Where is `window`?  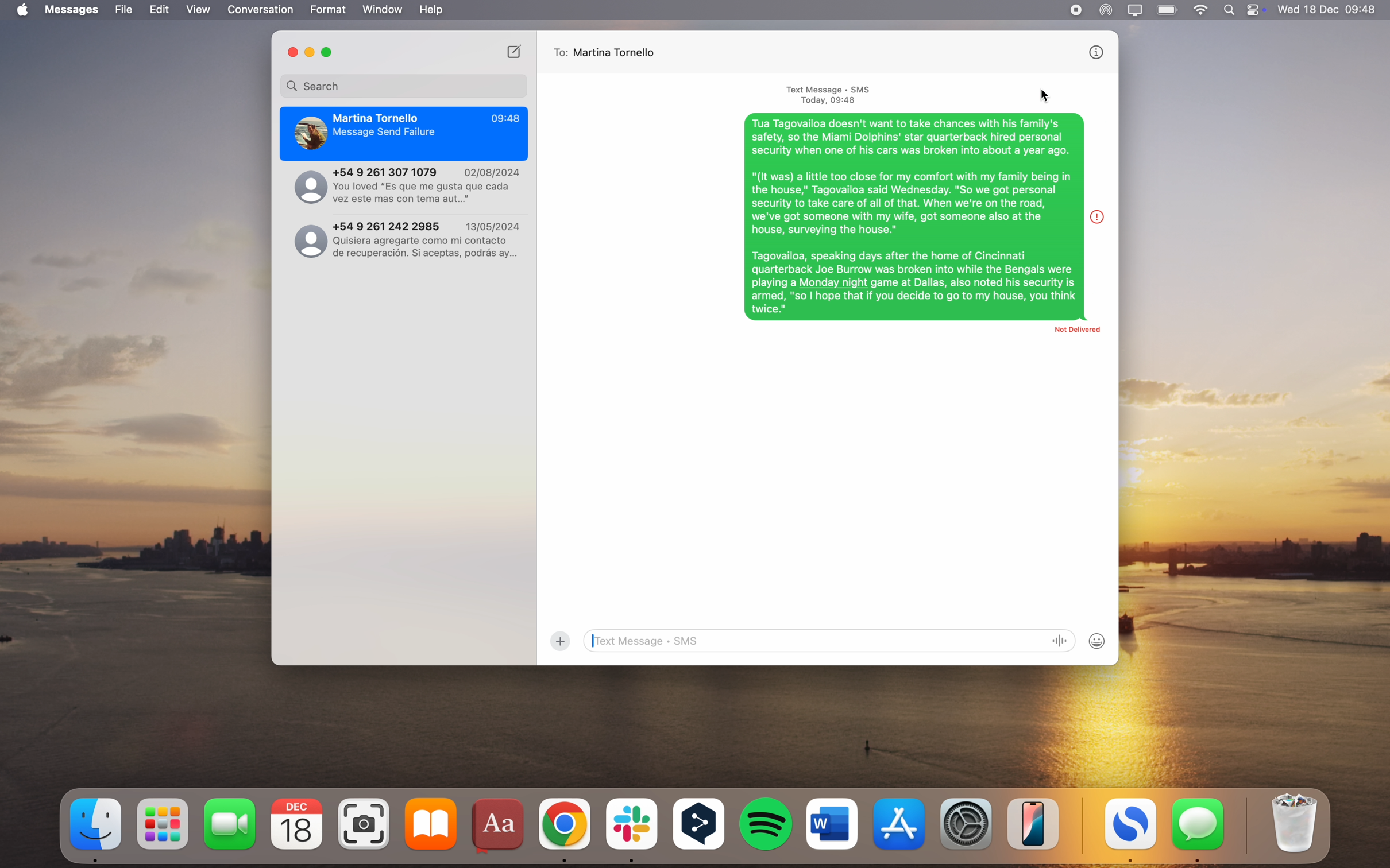 window is located at coordinates (383, 10).